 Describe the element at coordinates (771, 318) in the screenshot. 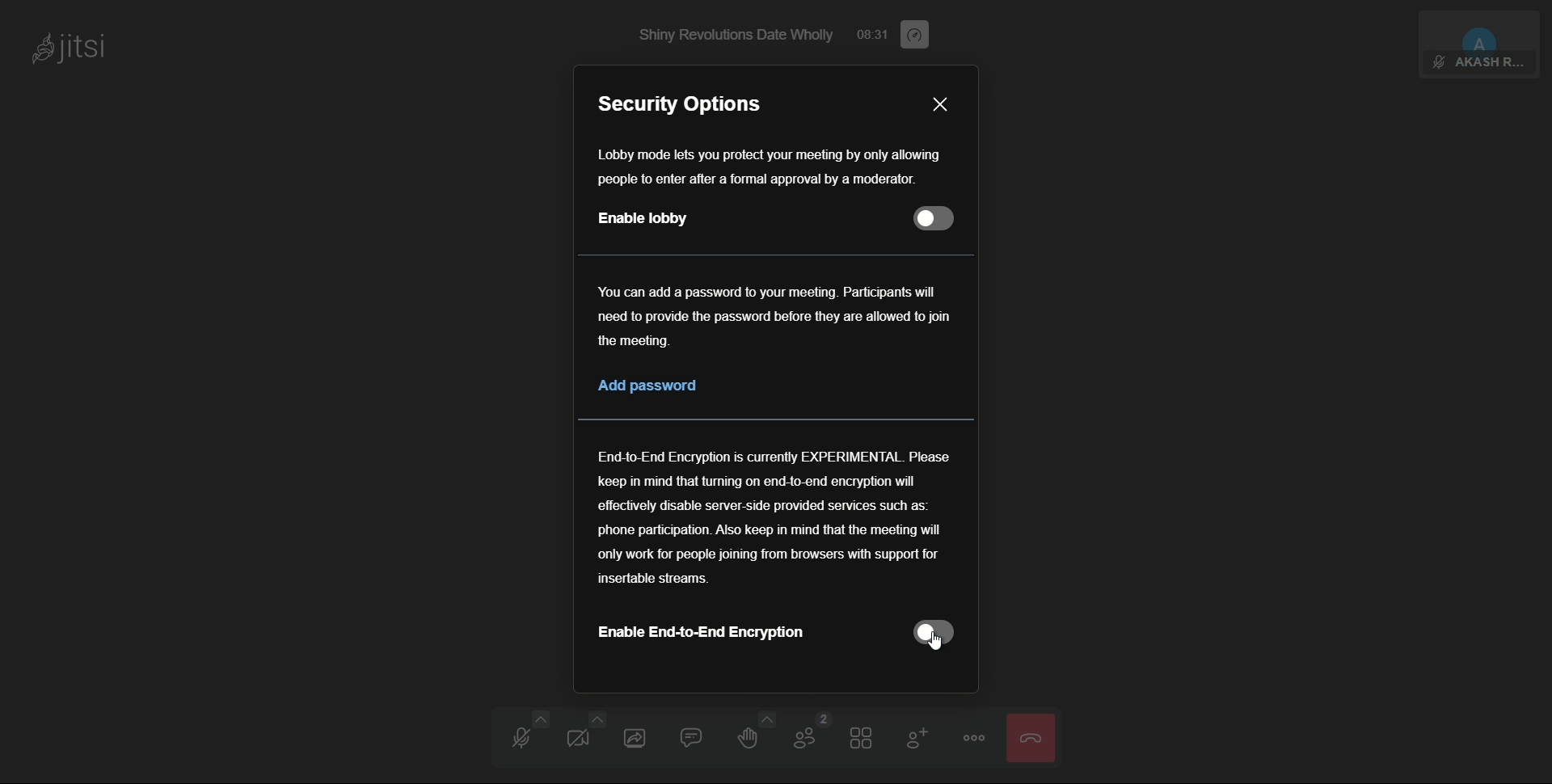

I see `‘You can add a password fo your meeting. Participants will
need to provide the password before they are allowed to join
the meeting.` at that location.